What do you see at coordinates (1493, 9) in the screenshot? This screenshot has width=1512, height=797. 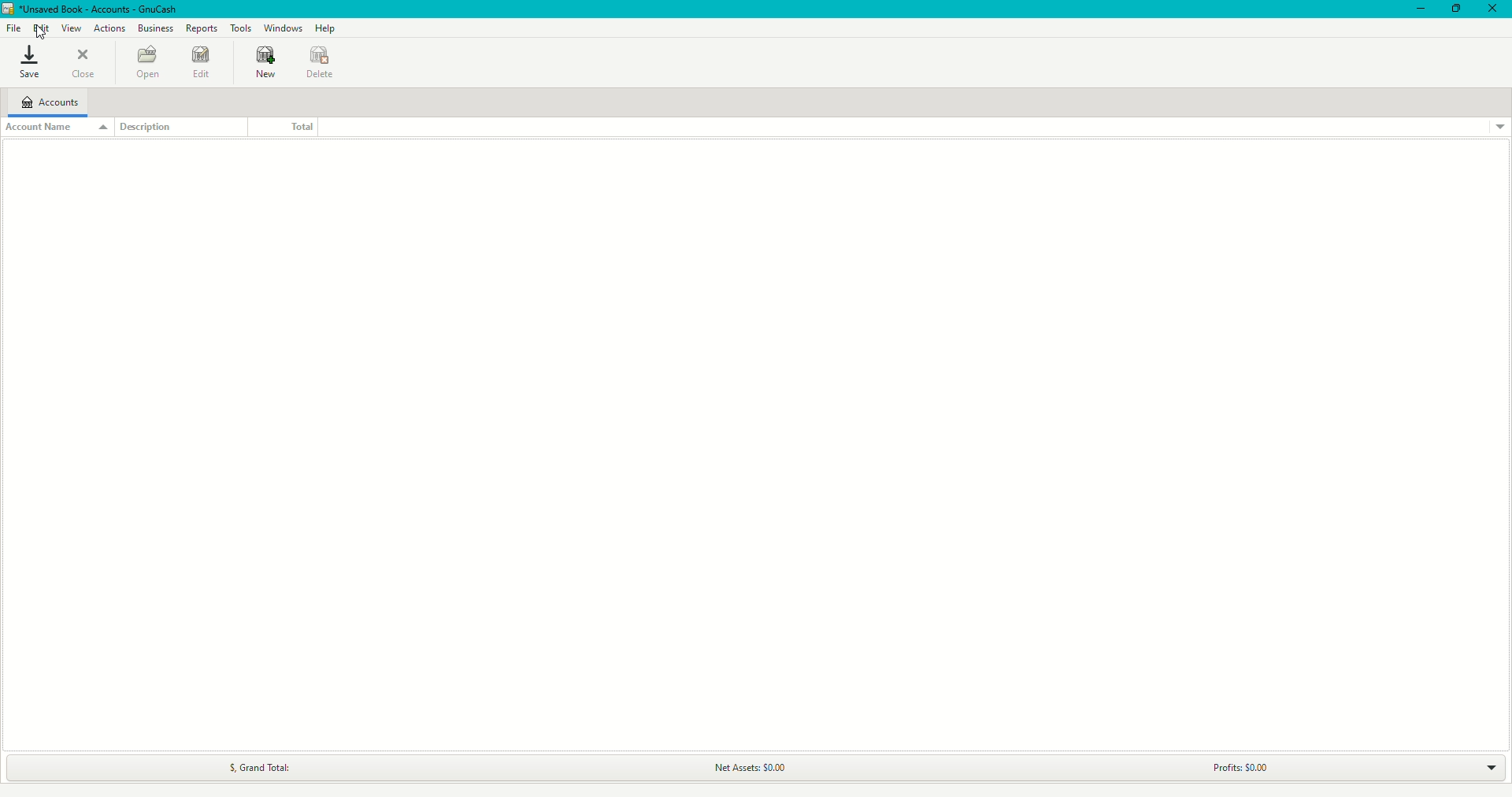 I see `Close` at bounding box center [1493, 9].